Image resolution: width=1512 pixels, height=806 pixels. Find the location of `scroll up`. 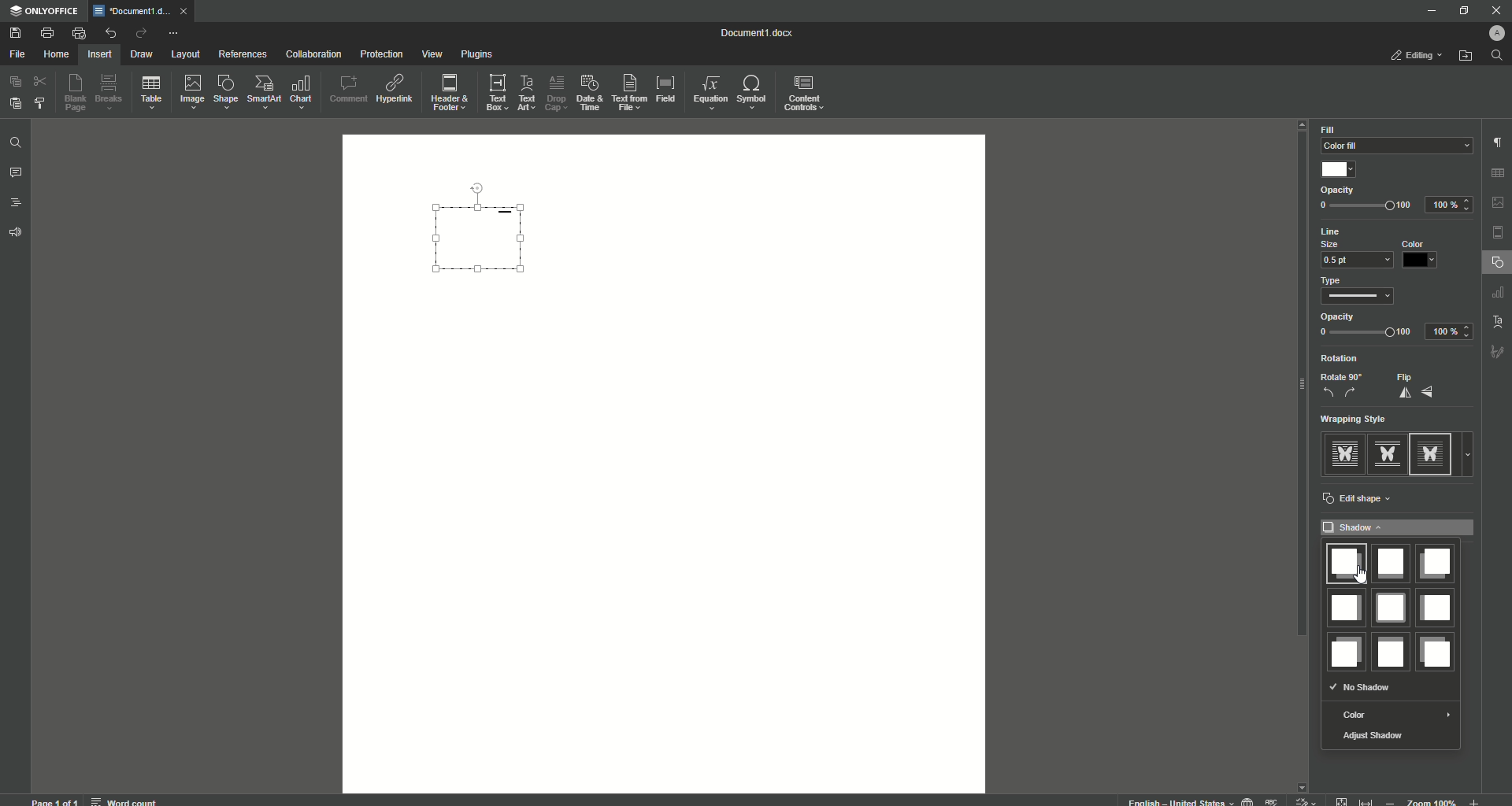

scroll up is located at coordinates (1303, 125).